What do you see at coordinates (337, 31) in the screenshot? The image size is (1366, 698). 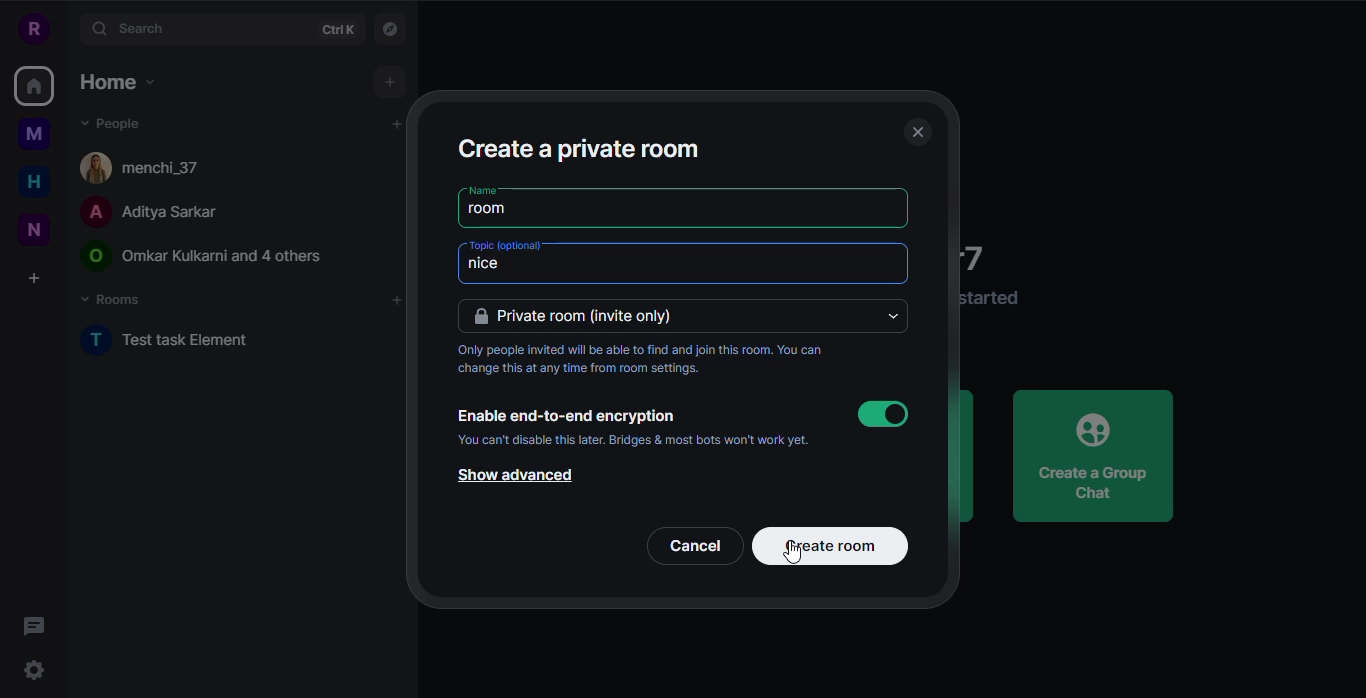 I see `ctrlK` at bounding box center [337, 31].